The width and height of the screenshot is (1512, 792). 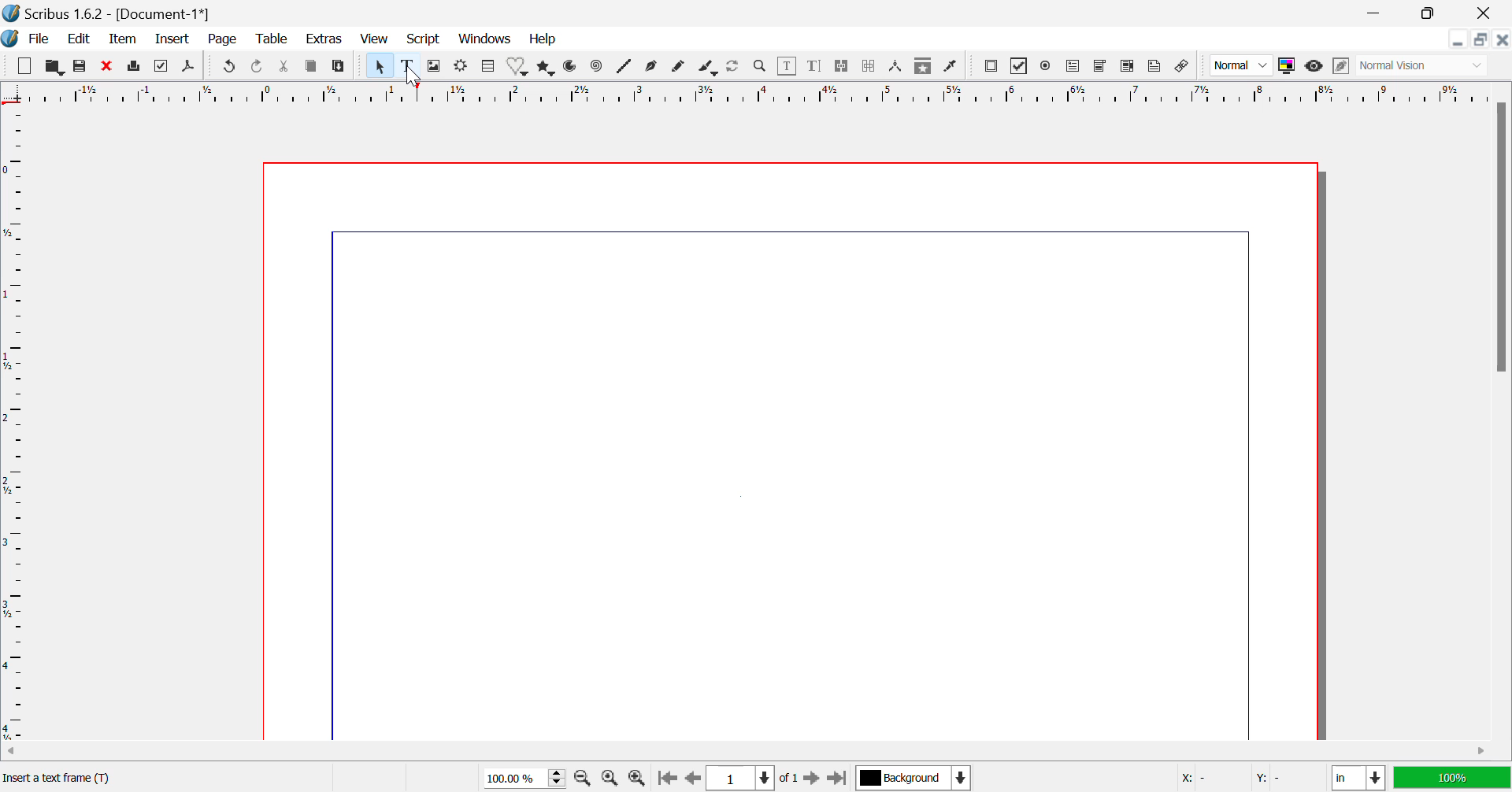 I want to click on Preflight Verifier, so click(x=161, y=68).